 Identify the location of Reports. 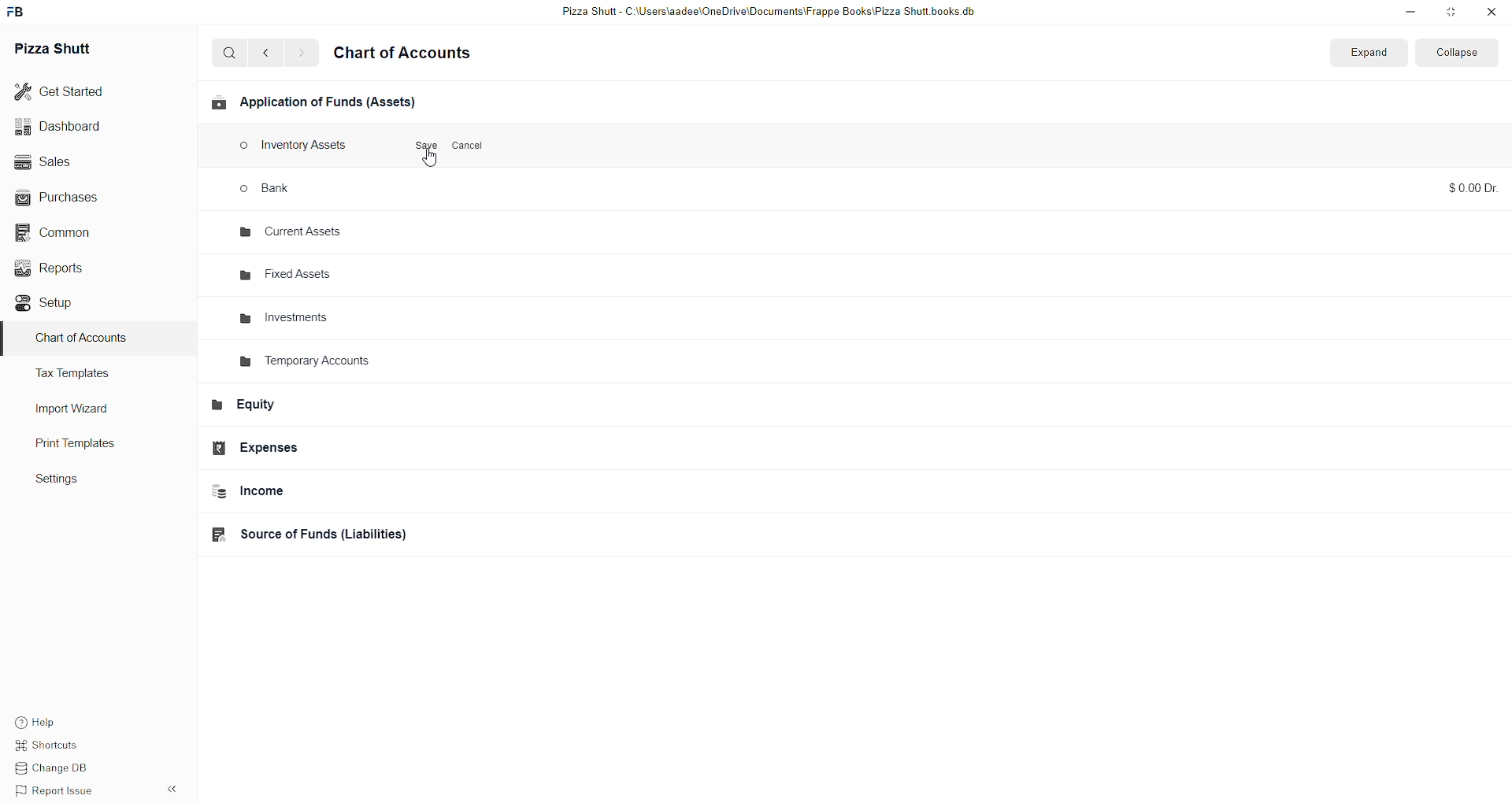
(69, 270).